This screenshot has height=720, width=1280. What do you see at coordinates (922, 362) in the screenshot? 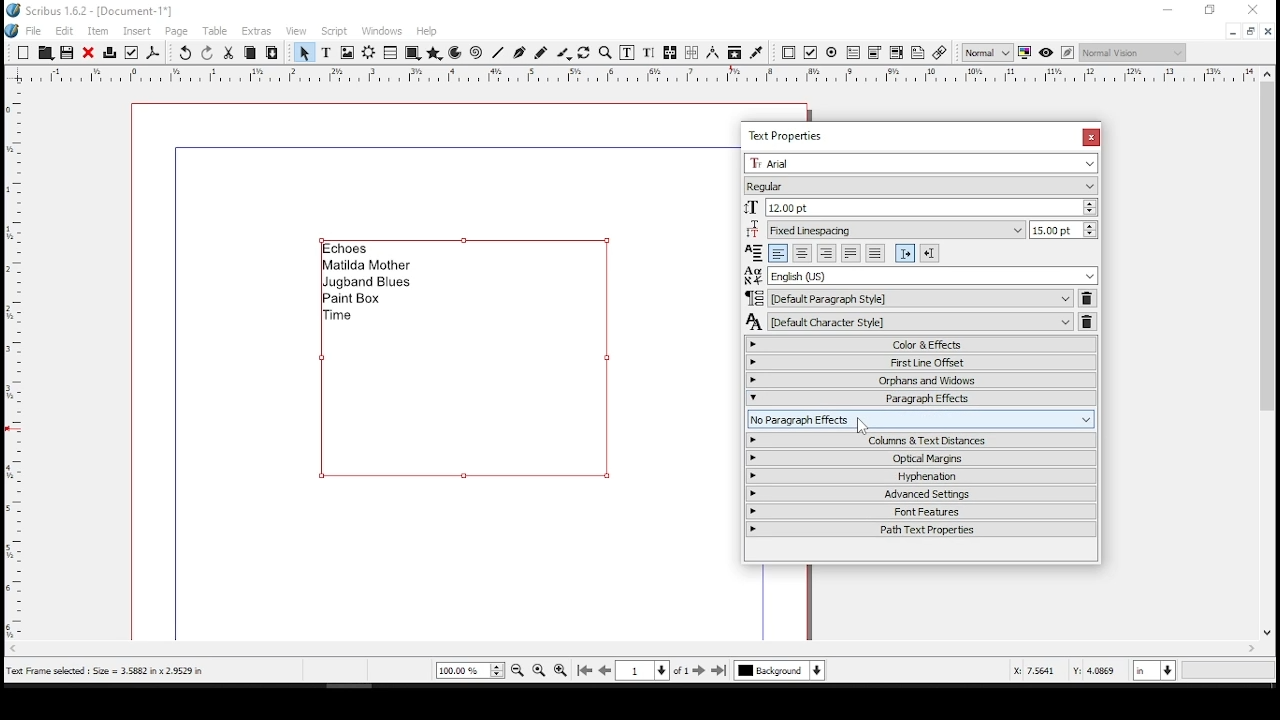
I see `first line offset` at bounding box center [922, 362].